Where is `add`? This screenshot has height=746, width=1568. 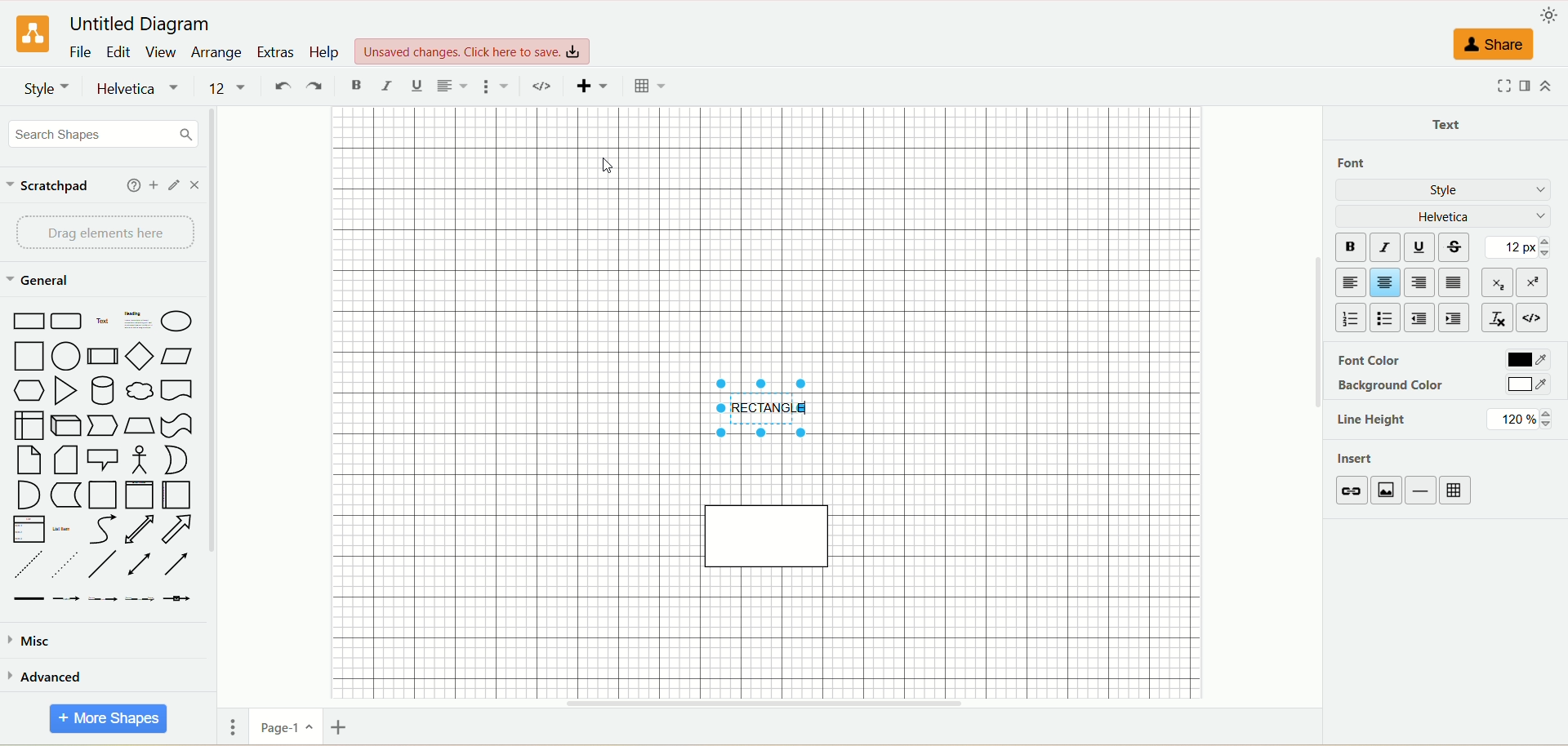
add is located at coordinates (151, 187).